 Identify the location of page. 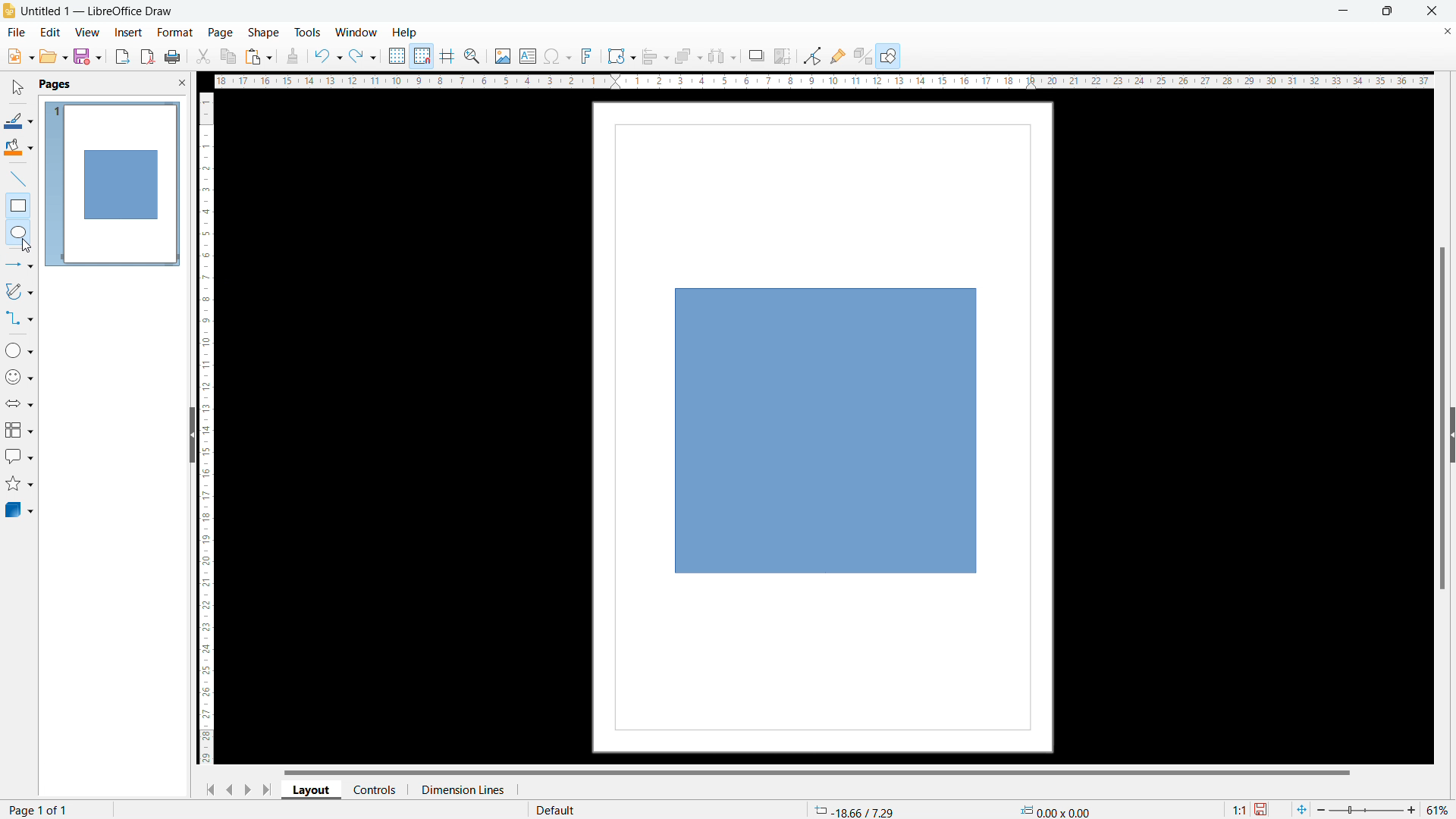
(221, 32).